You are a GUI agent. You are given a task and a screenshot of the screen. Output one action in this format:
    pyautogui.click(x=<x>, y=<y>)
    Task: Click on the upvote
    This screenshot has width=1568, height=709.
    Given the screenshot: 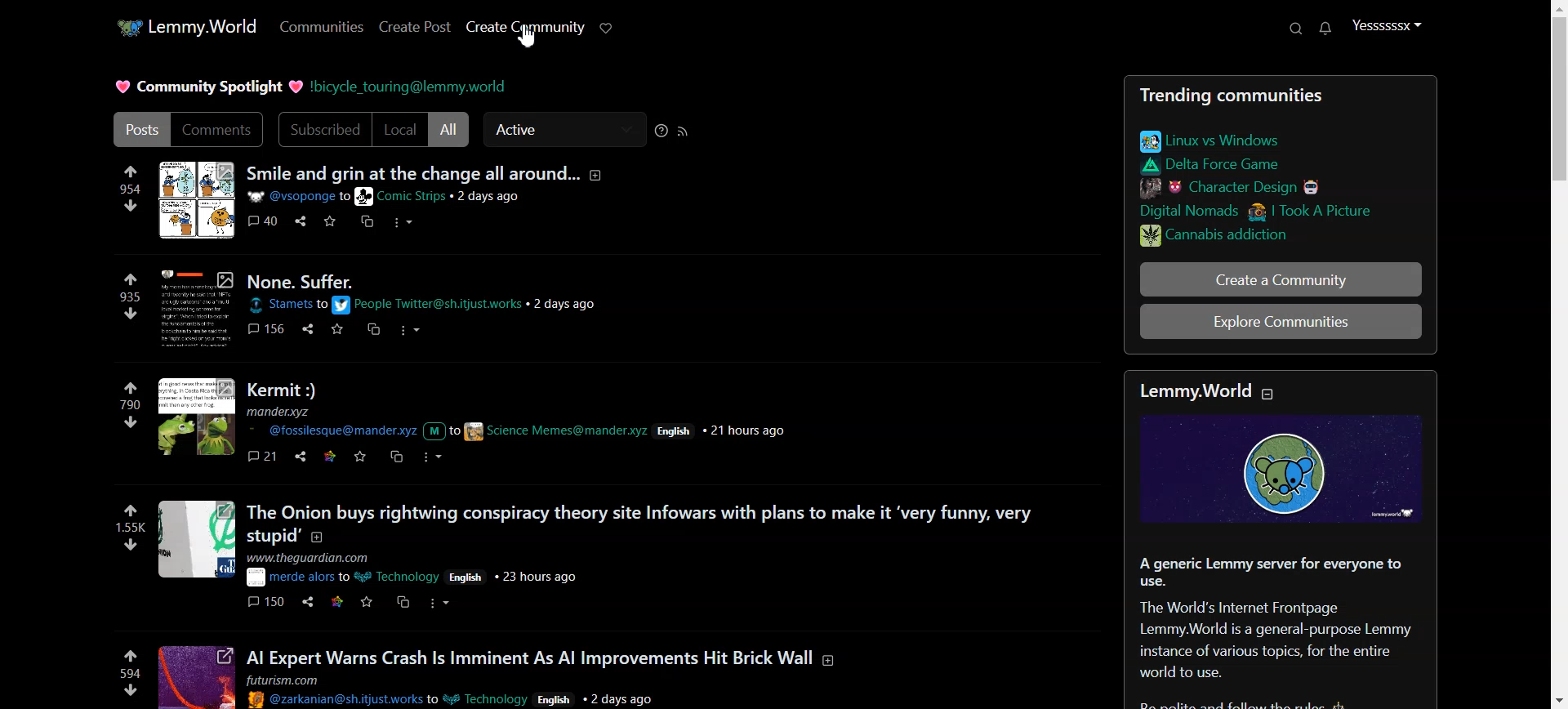 What is the action you would take?
    pyautogui.click(x=132, y=172)
    